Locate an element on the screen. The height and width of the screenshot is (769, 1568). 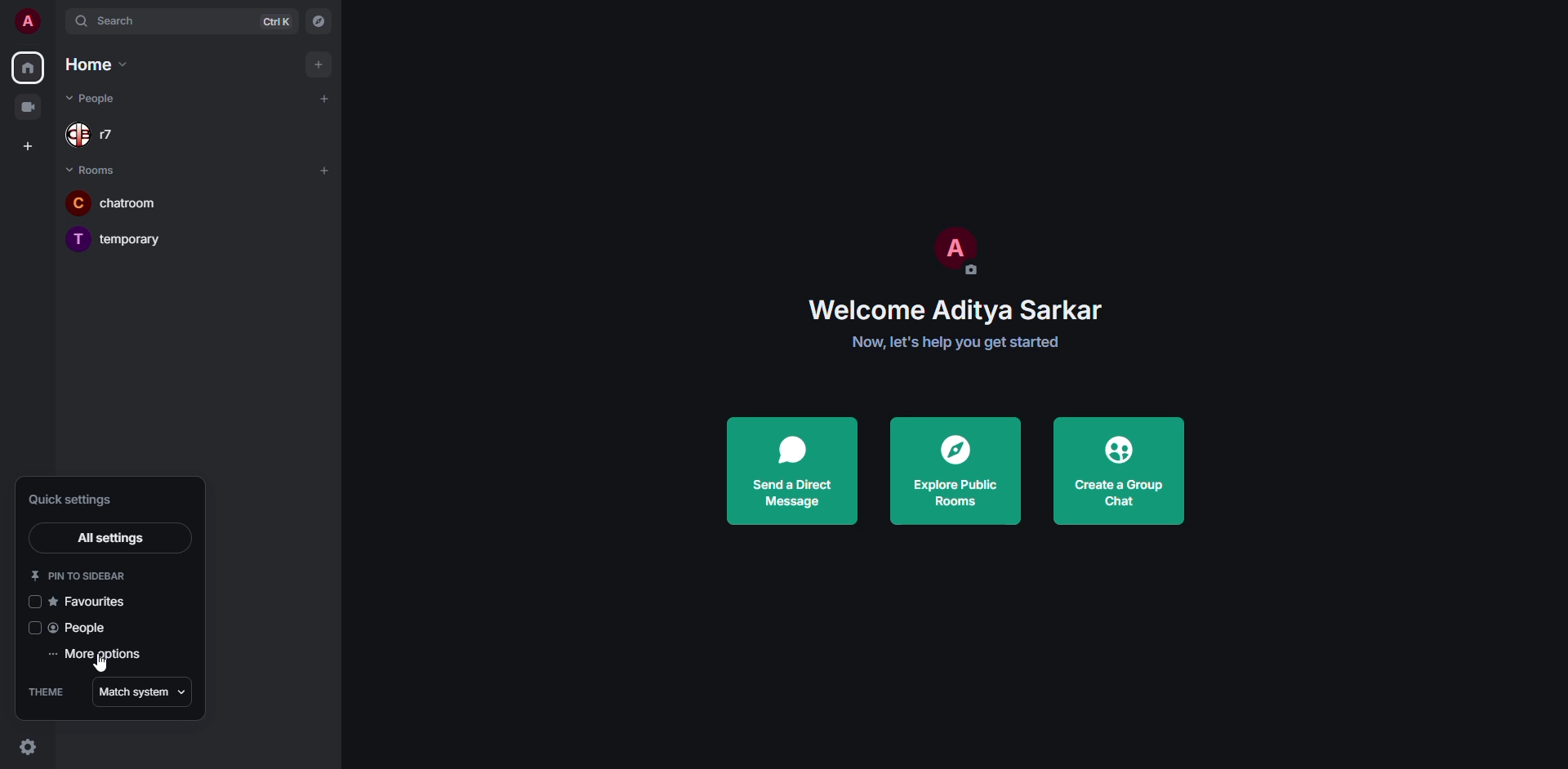
theme is located at coordinates (51, 691).